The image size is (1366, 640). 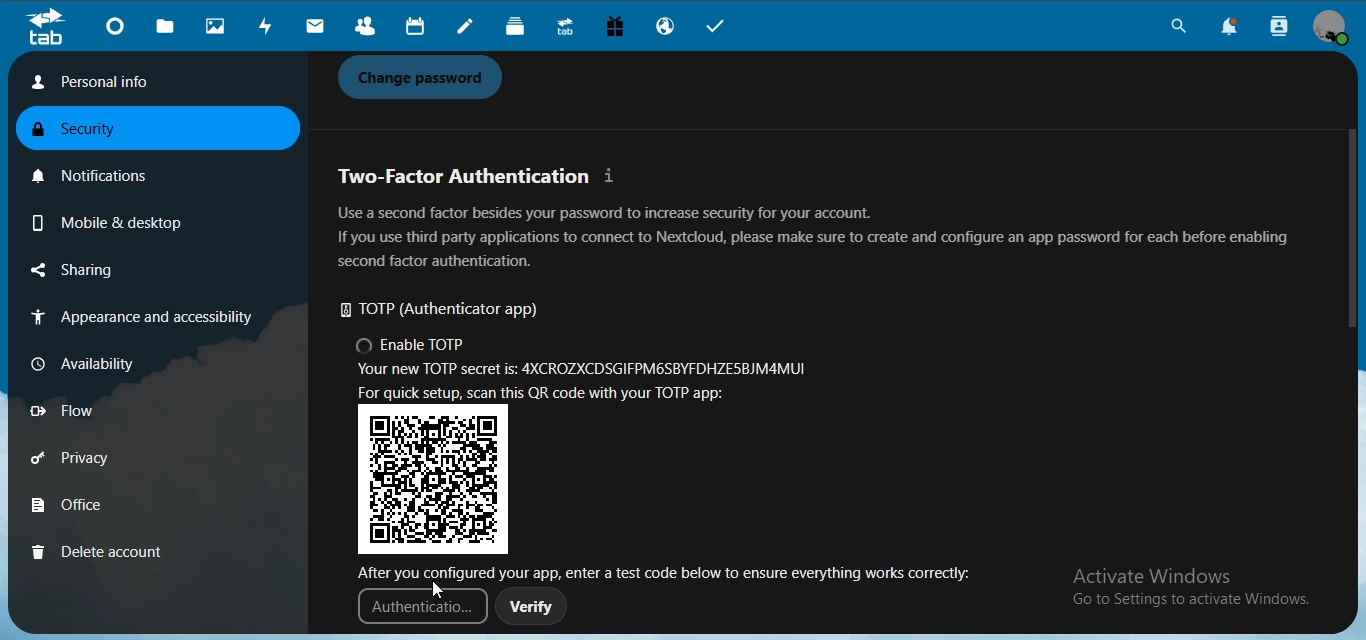 I want to click on delete account, so click(x=98, y=551).